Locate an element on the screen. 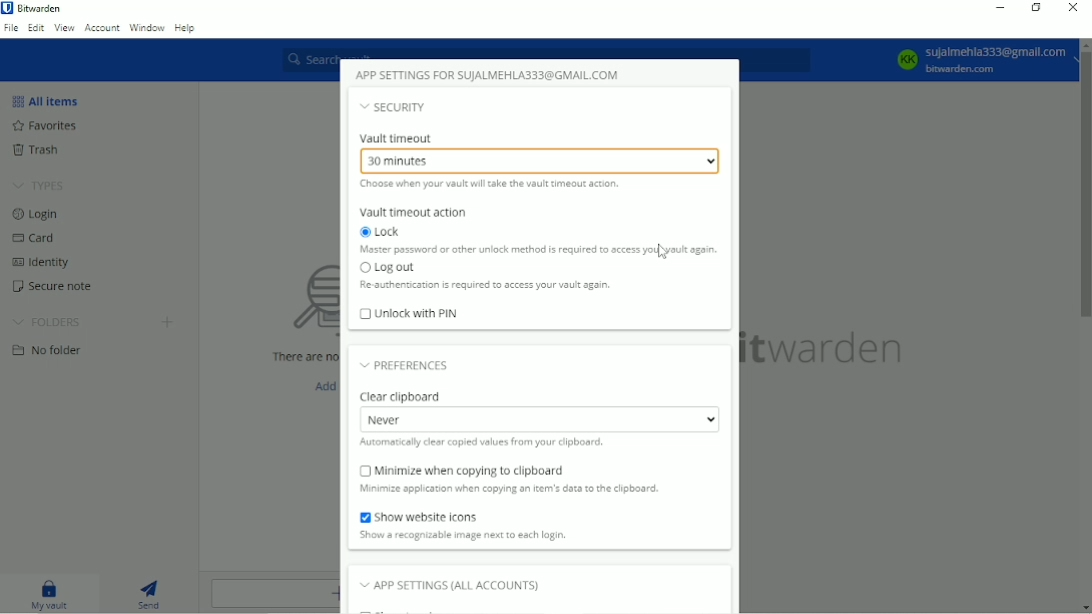  My vault is located at coordinates (50, 594).